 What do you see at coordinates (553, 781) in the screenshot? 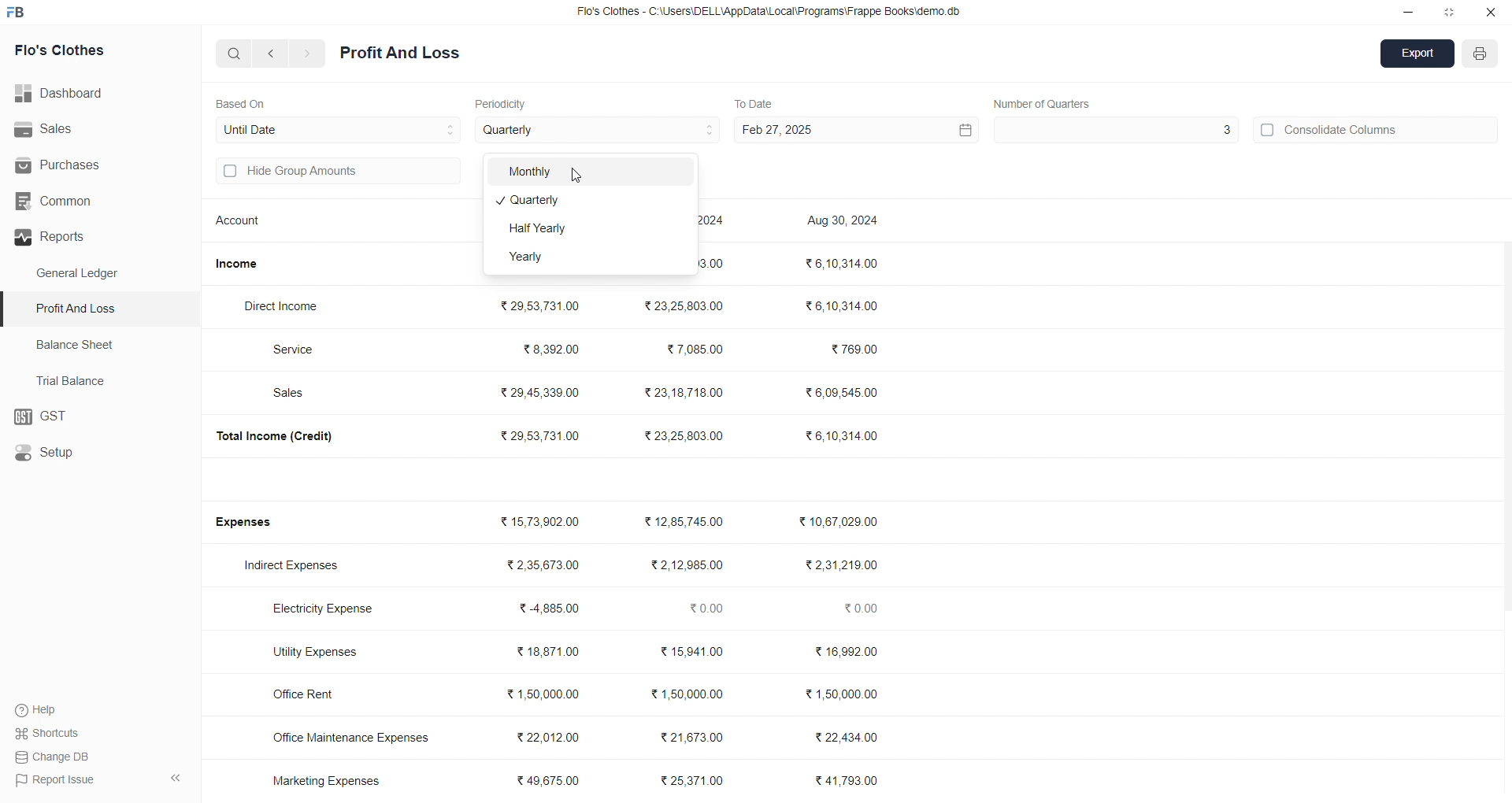
I see `₹49,675.00` at bounding box center [553, 781].